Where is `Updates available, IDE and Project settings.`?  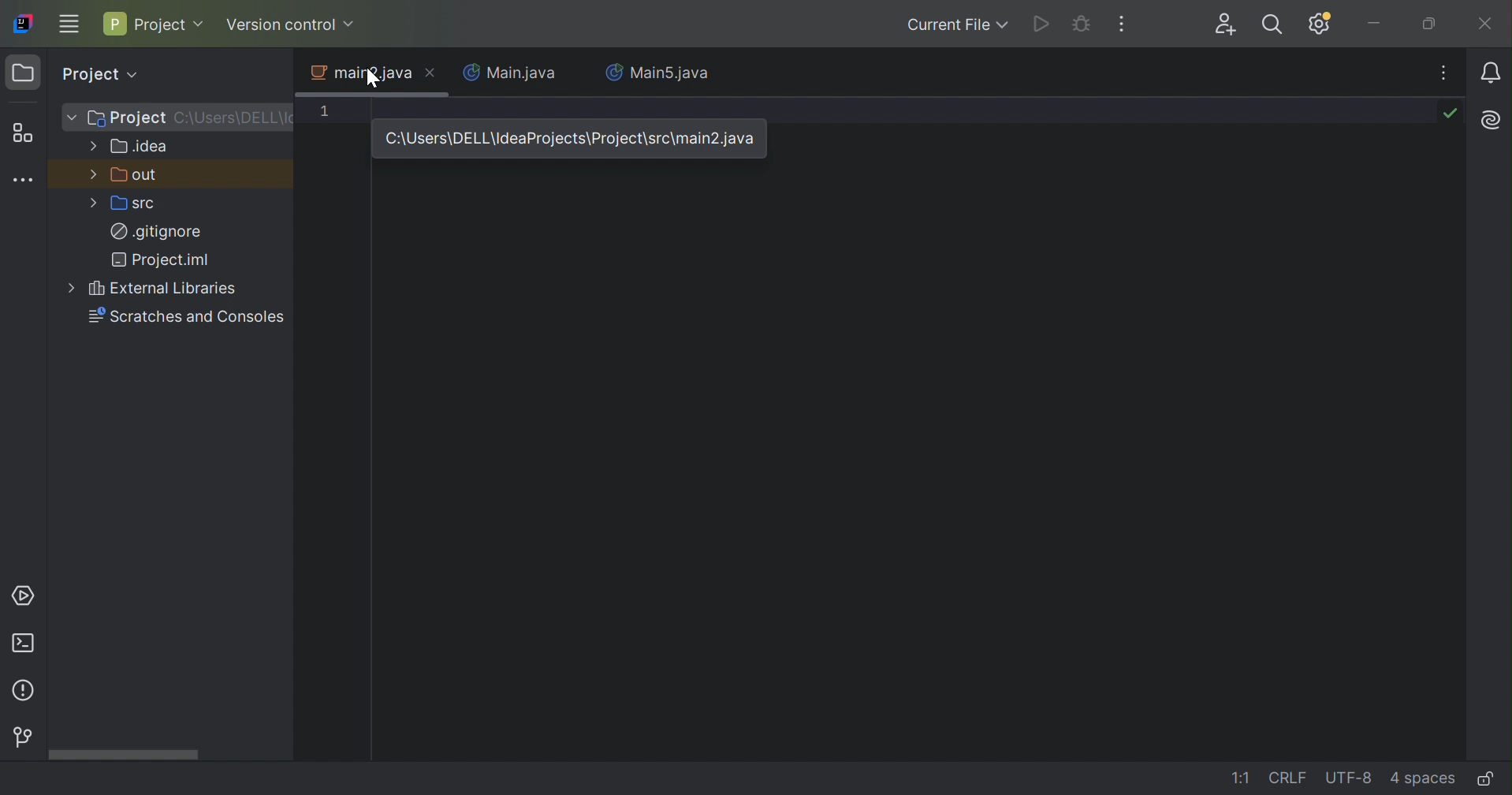
Updates available, IDE and Project settings. is located at coordinates (1320, 23).